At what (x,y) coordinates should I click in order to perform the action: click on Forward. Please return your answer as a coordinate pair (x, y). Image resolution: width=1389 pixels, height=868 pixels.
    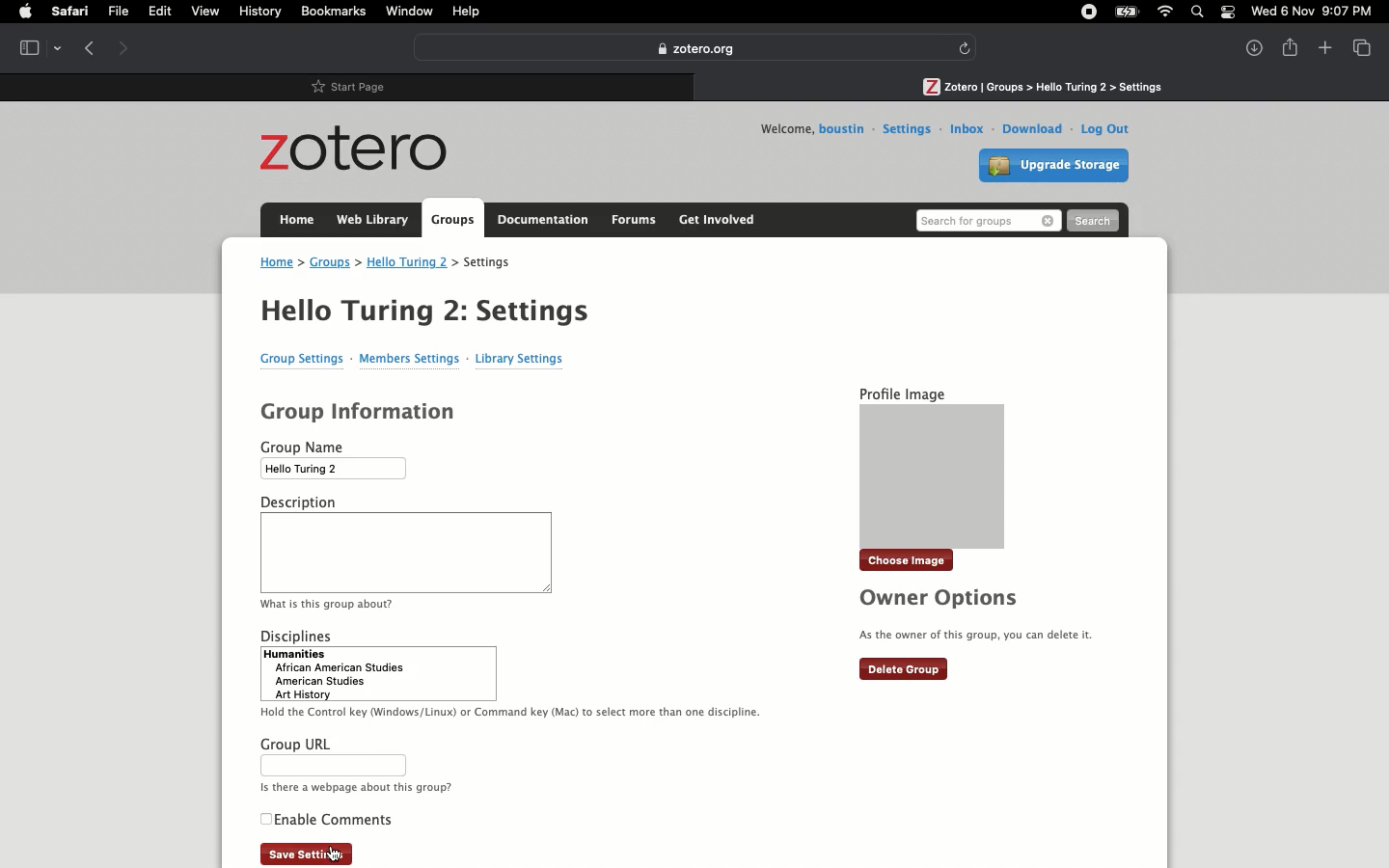
    Looking at the image, I should click on (123, 46).